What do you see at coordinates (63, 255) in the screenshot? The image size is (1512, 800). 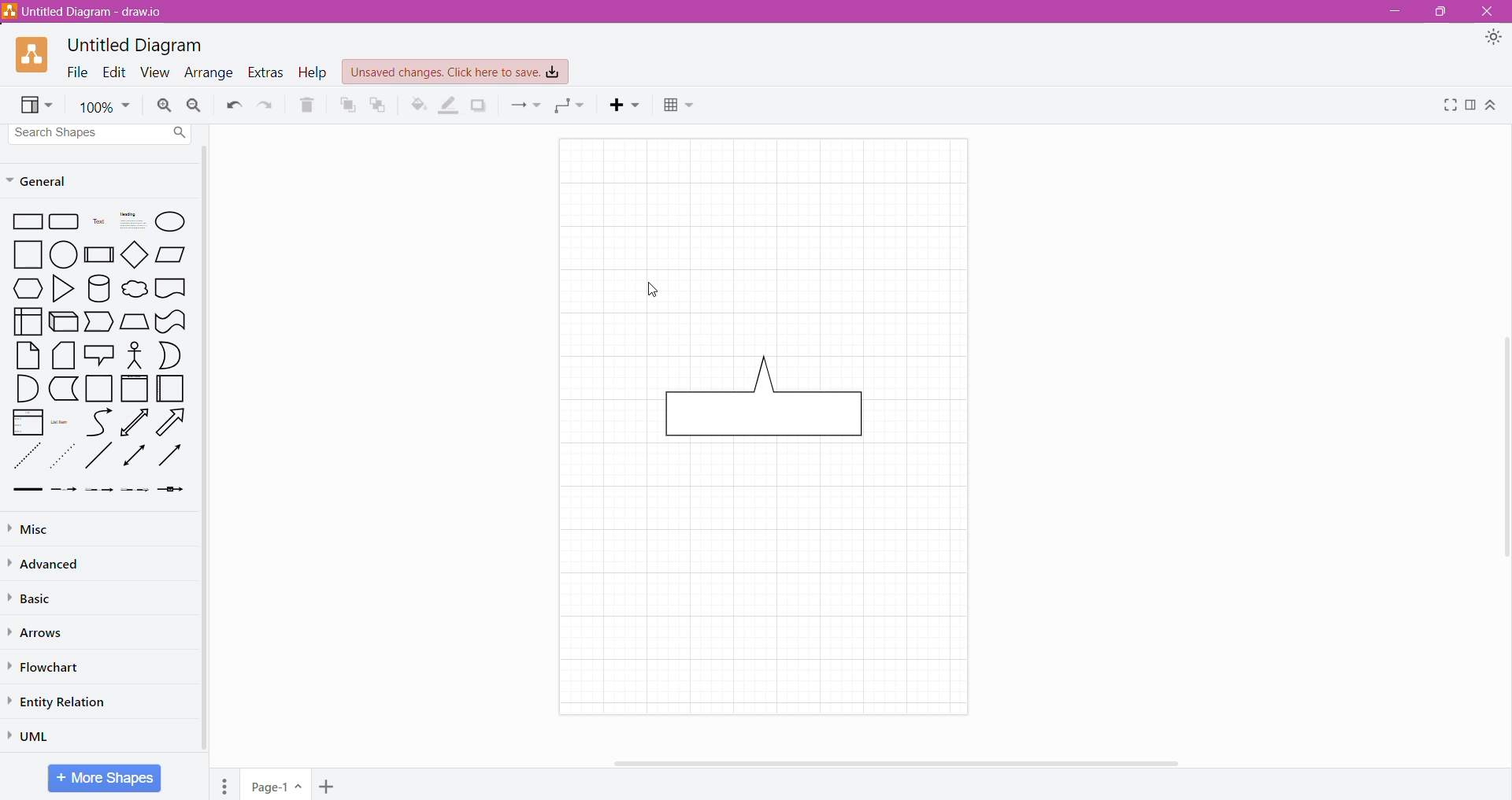 I see `circle` at bounding box center [63, 255].